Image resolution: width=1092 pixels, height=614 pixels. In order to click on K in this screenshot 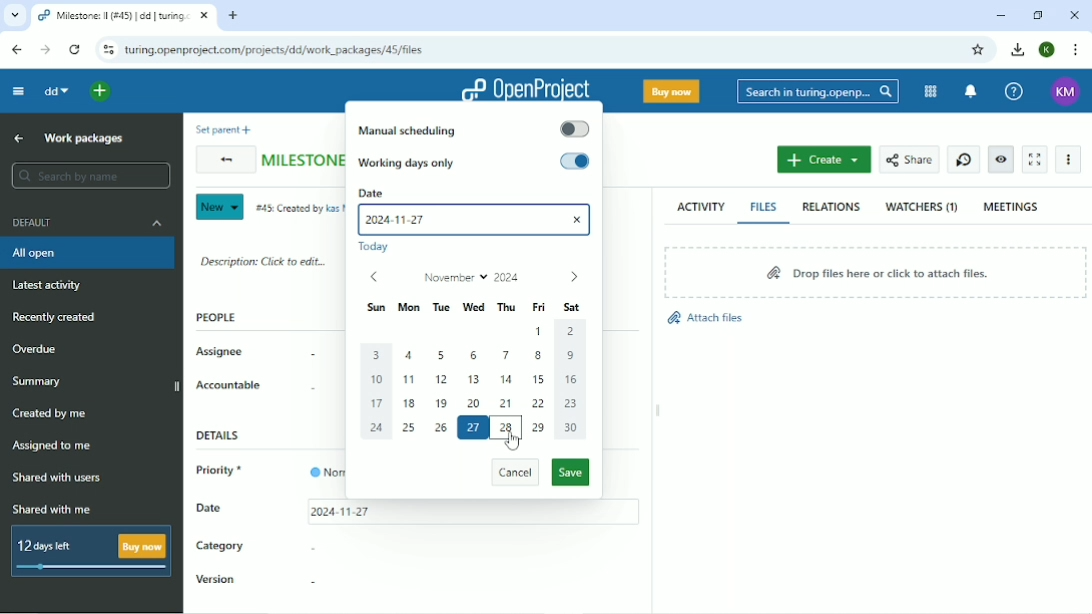, I will do `click(1048, 50)`.